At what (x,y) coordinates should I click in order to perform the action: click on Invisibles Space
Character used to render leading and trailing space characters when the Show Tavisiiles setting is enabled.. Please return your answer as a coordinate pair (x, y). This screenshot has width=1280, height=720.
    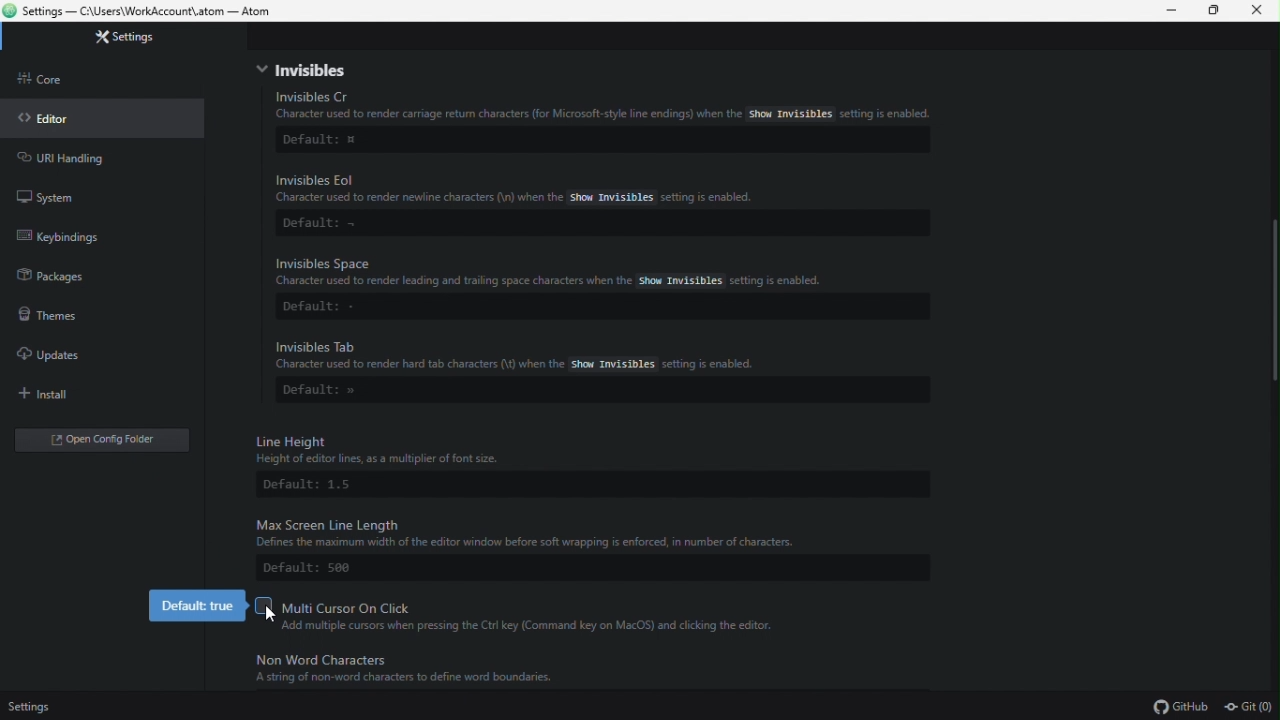
    Looking at the image, I should click on (561, 271).